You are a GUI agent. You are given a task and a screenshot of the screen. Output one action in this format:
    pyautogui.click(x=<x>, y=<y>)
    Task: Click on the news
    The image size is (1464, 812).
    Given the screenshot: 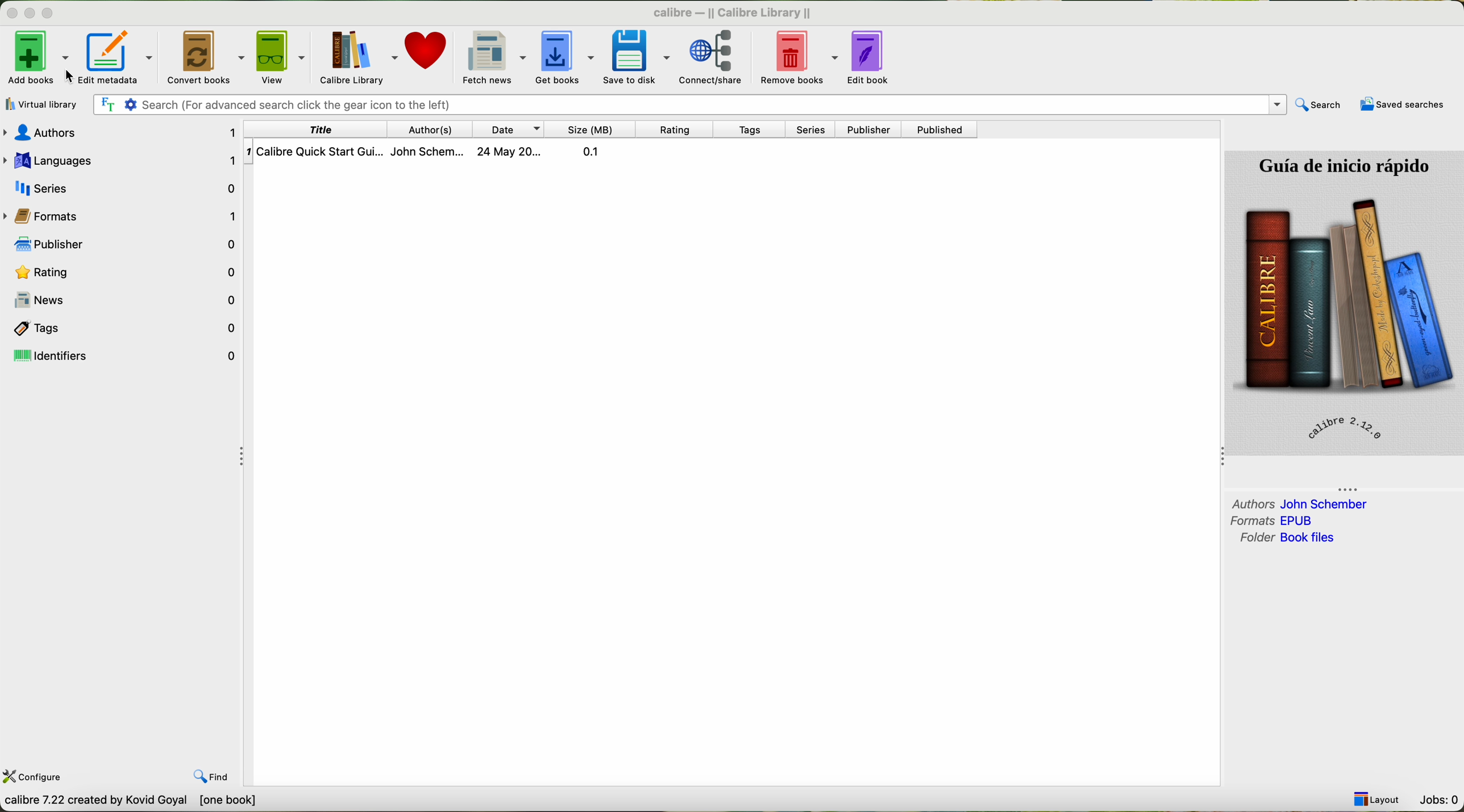 What is the action you would take?
    pyautogui.click(x=126, y=299)
    